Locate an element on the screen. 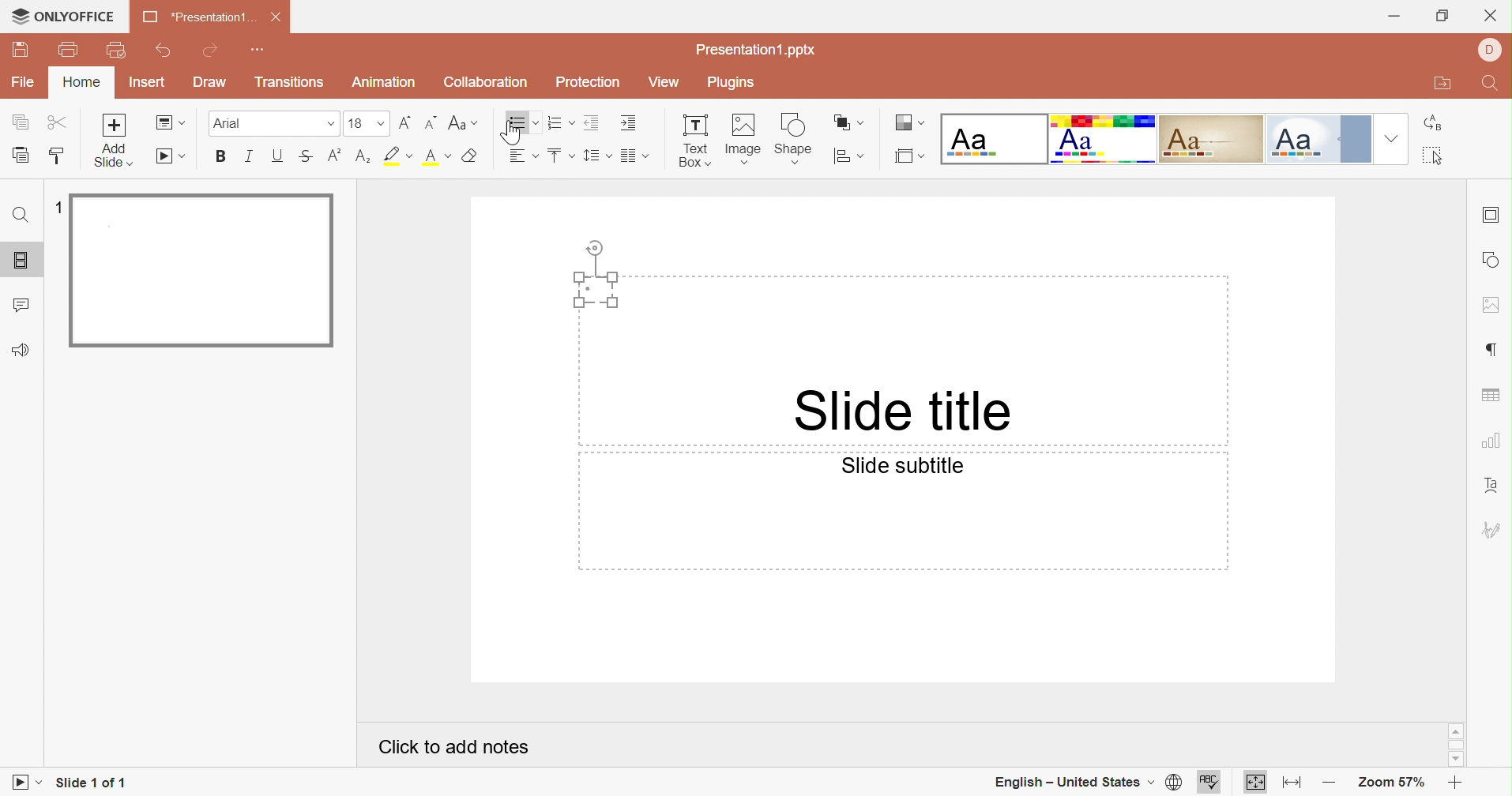 The image size is (1512, 796). Paste is located at coordinates (21, 157).